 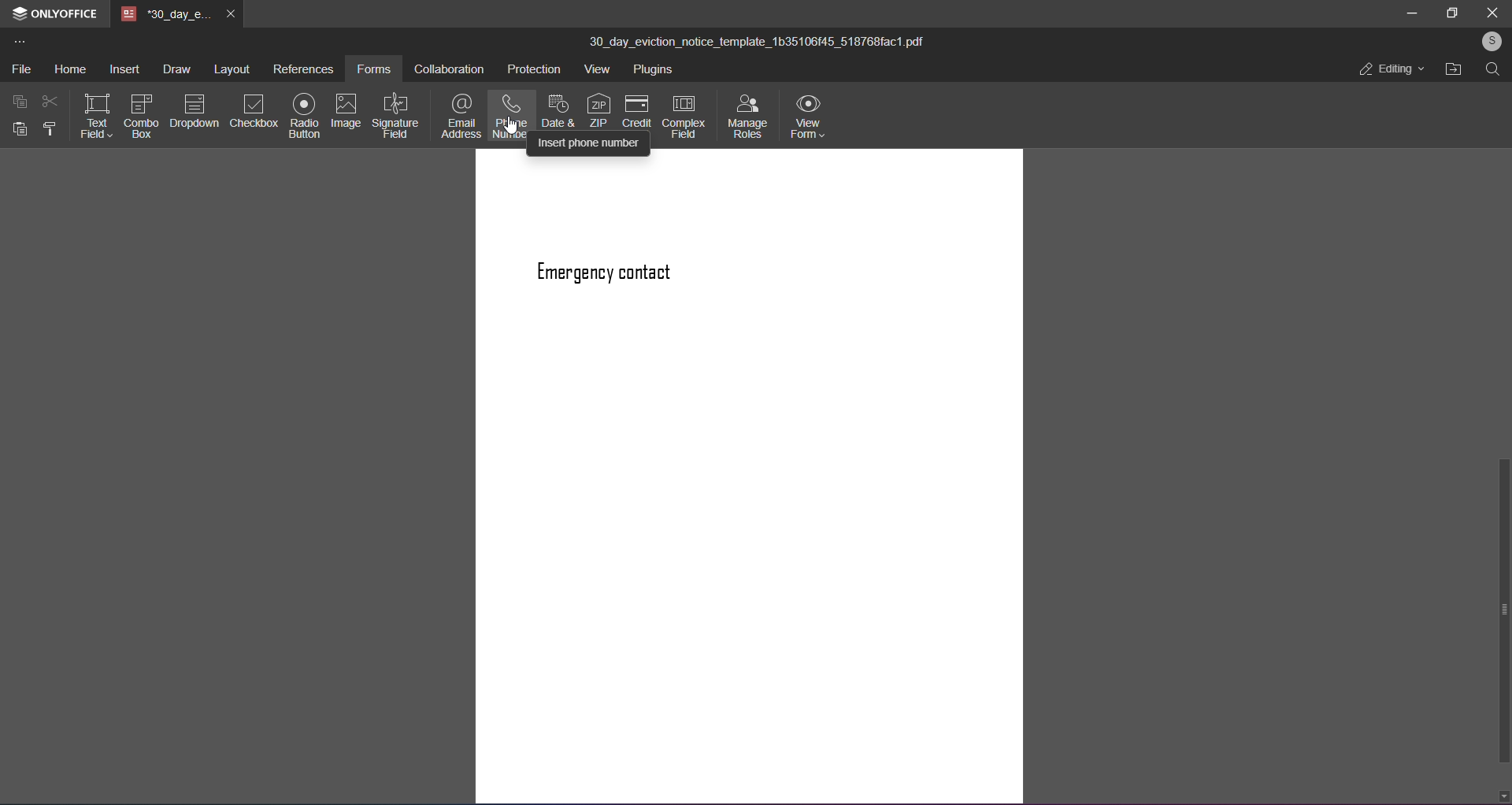 What do you see at coordinates (232, 71) in the screenshot?
I see `layout` at bounding box center [232, 71].